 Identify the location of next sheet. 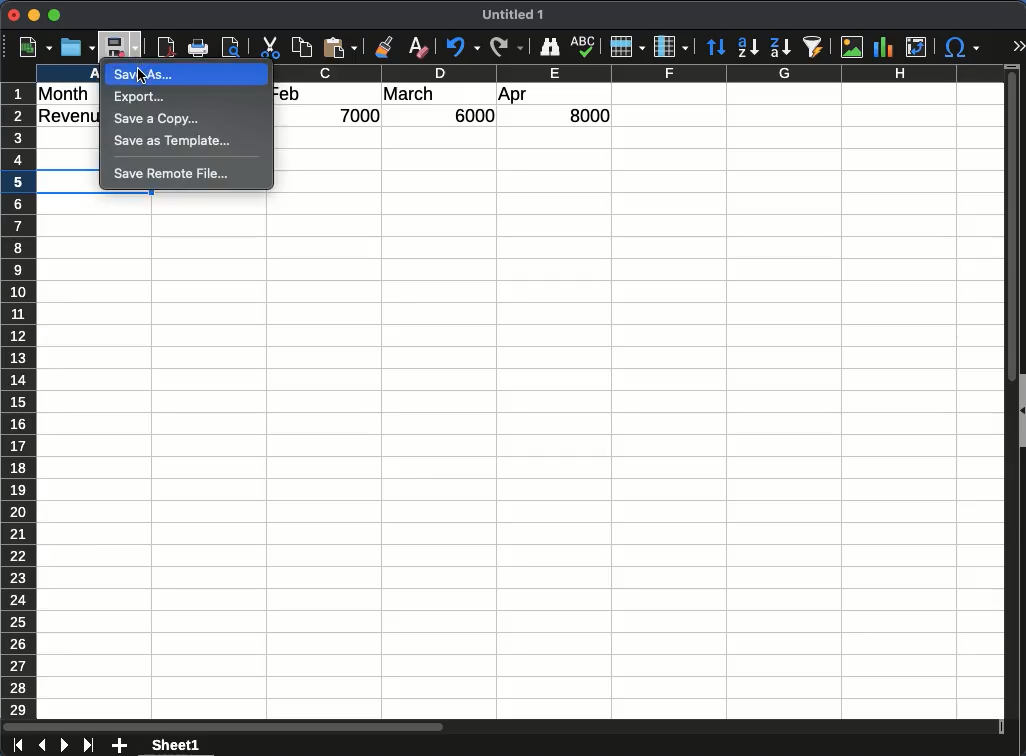
(63, 746).